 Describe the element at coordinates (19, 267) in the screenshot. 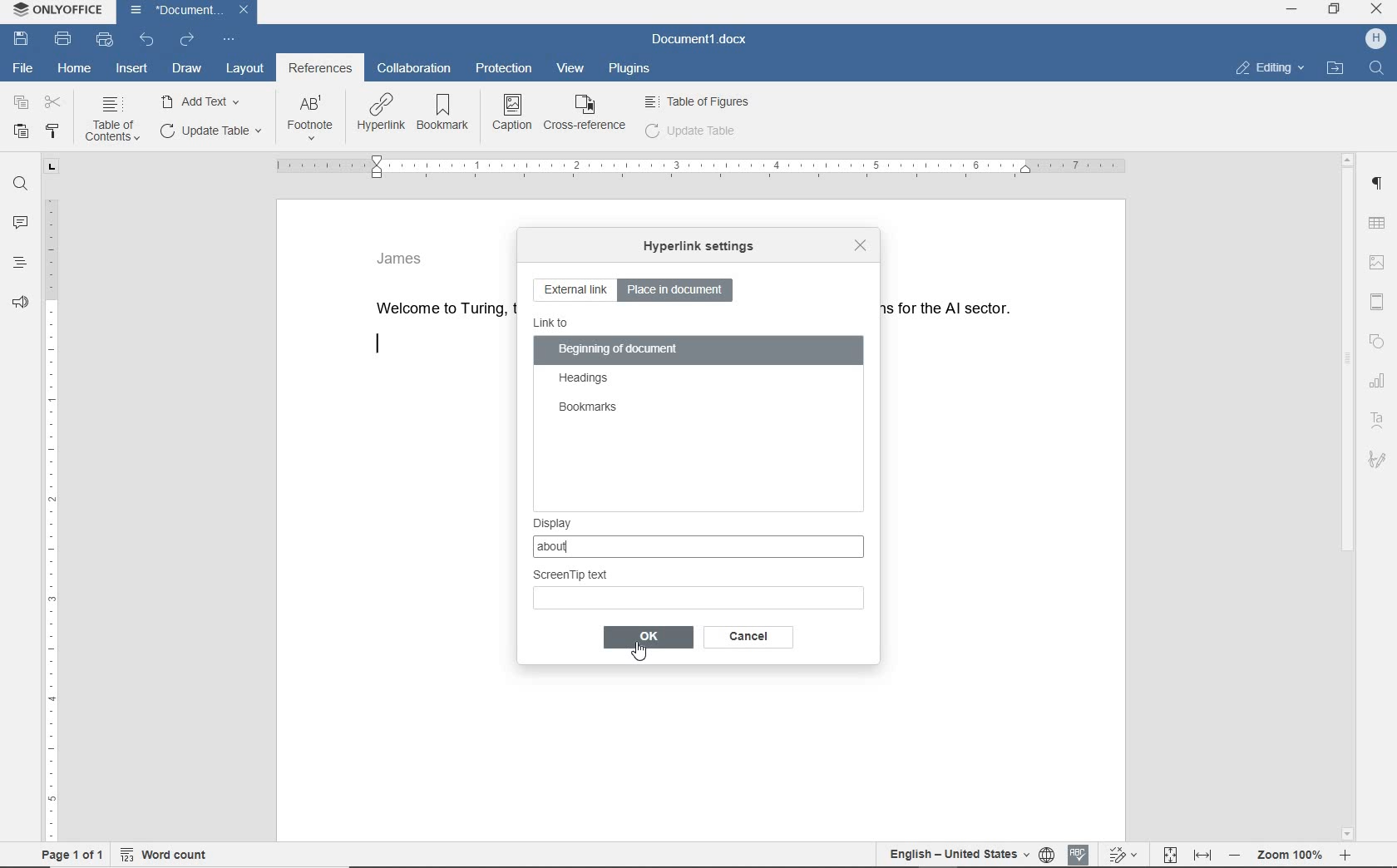

I see `headings` at that location.